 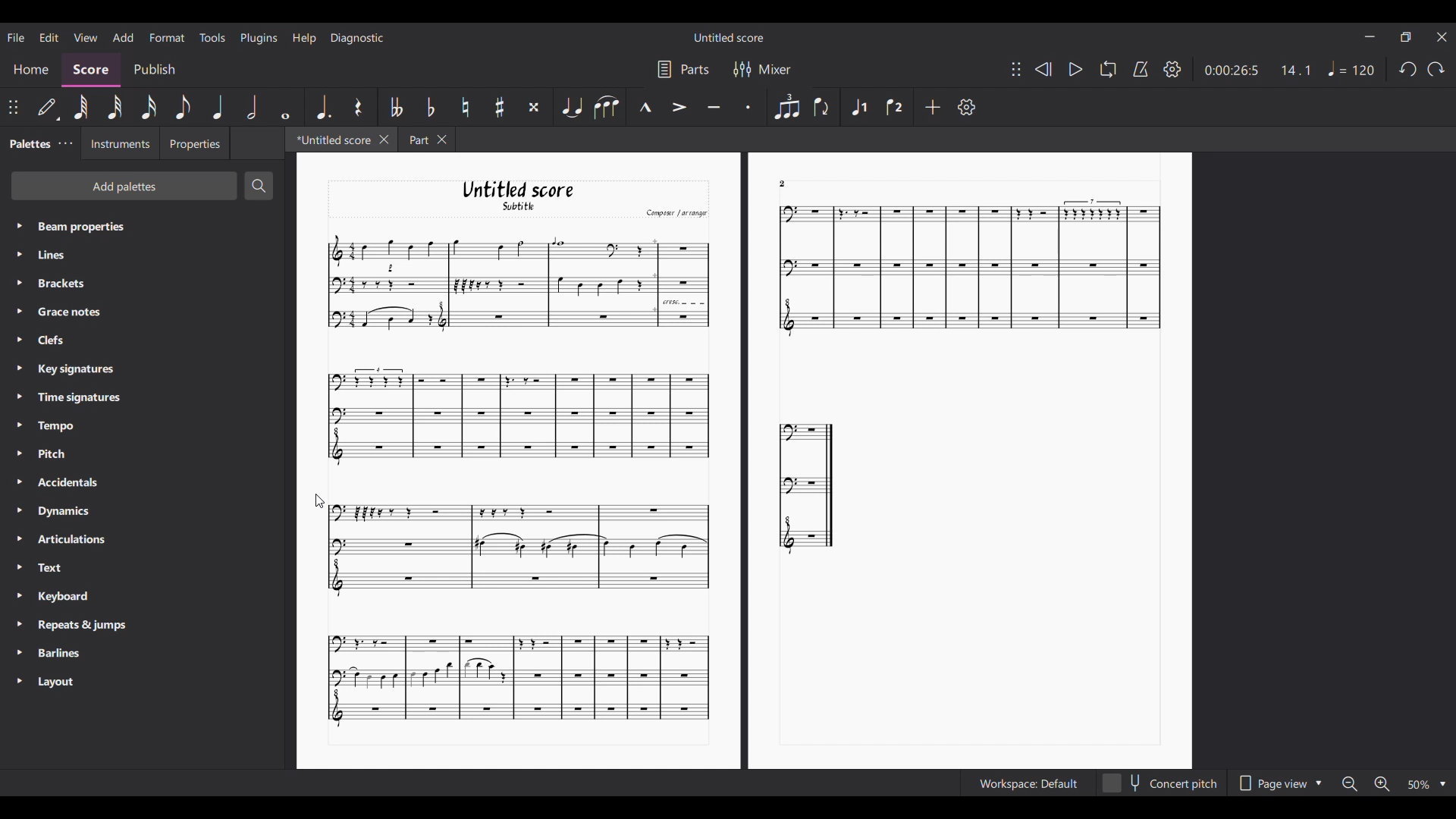 What do you see at coordinates (516, 283) in the screenshot?
I see `Graph` at bounding box center [516, 283].